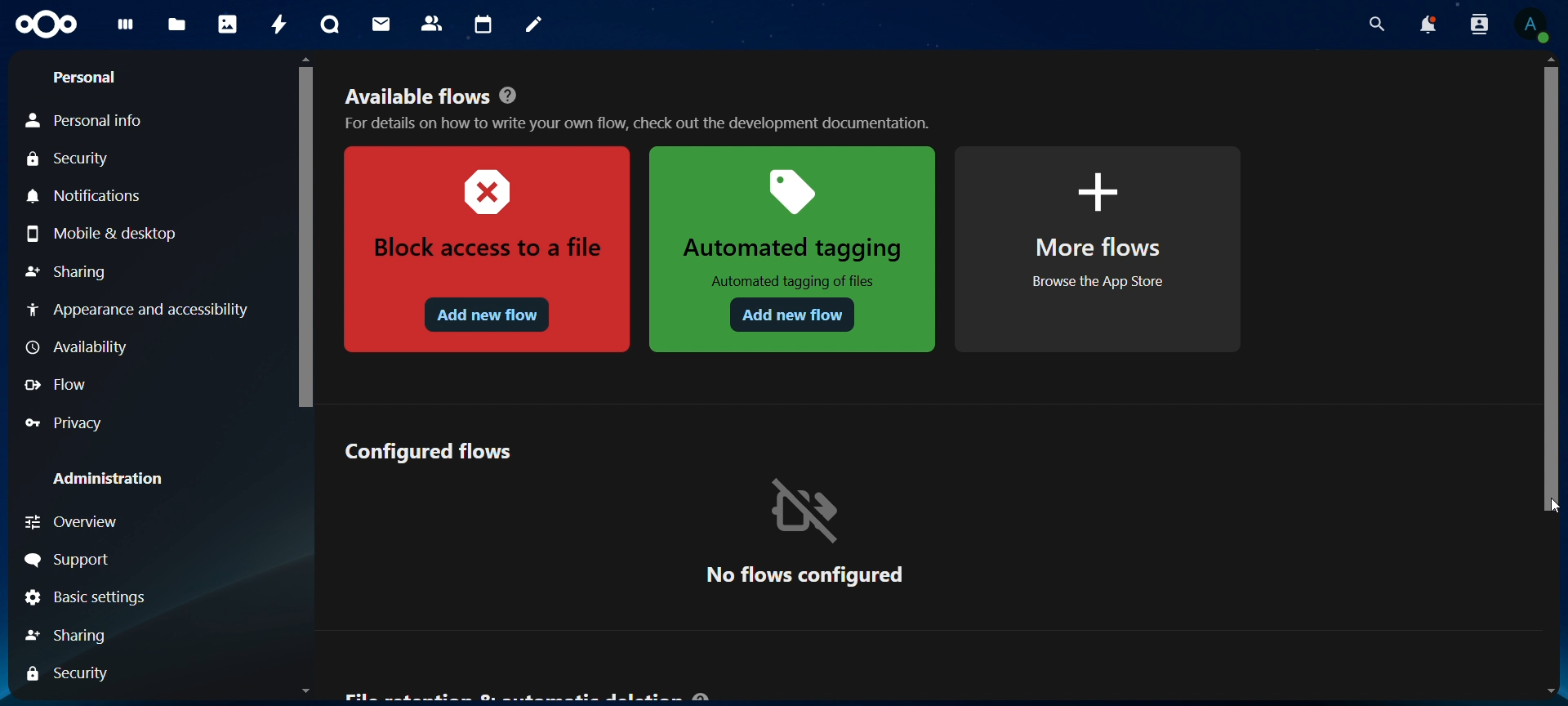  Describe the element at coordinates (330, 25) in the screenshot. I see `talk` at that location.